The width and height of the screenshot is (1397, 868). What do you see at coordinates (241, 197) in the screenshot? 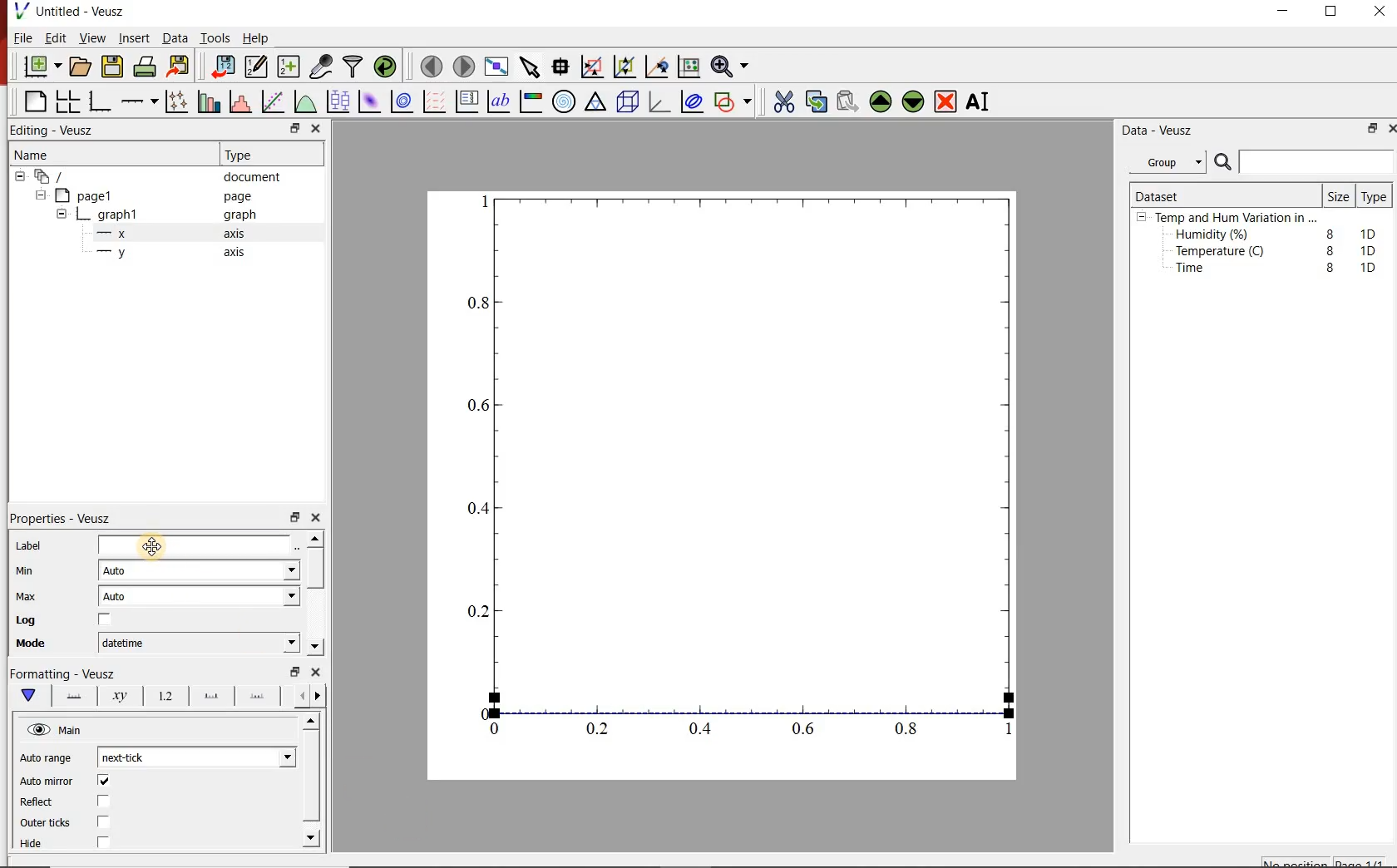
I see `page` at bounding box center [241, 197].